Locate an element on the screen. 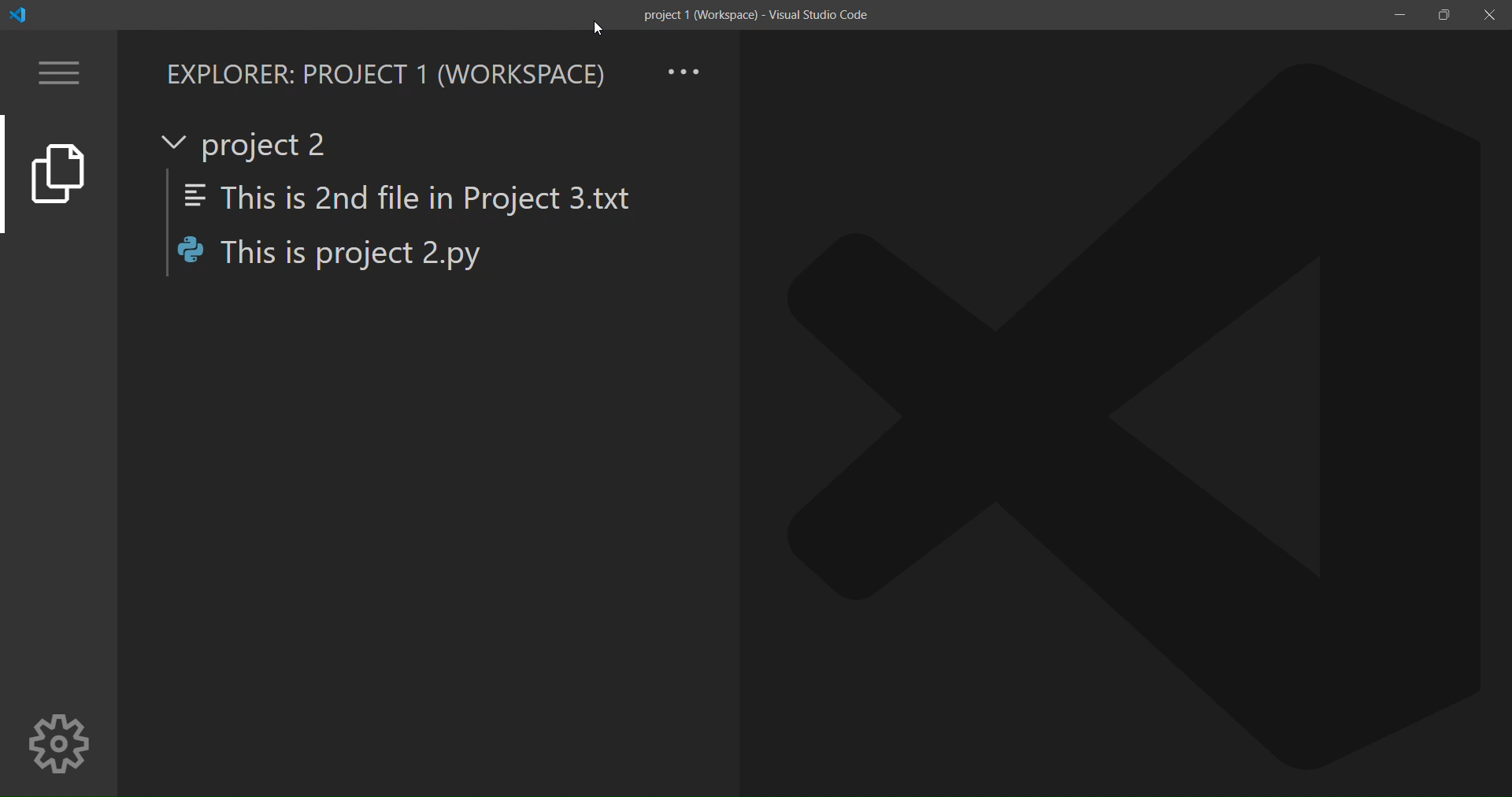  minimize is located at coordinates (1397, 15).